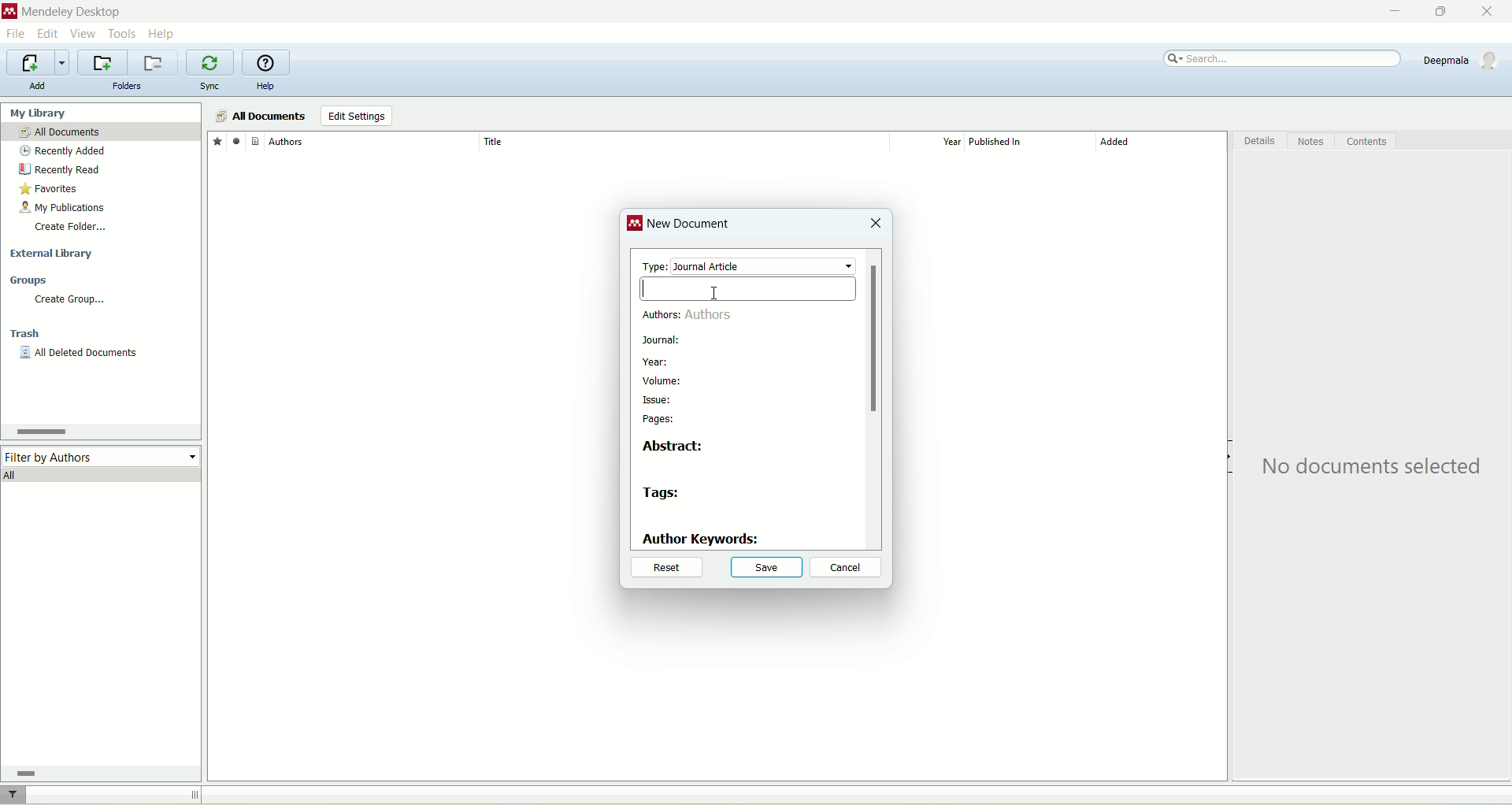 The height and width of the screenshot is (805, 1512). What do you see at coordinates (658, 402) in the screenshot?
I see `issue` at bounding box center [658, 402].